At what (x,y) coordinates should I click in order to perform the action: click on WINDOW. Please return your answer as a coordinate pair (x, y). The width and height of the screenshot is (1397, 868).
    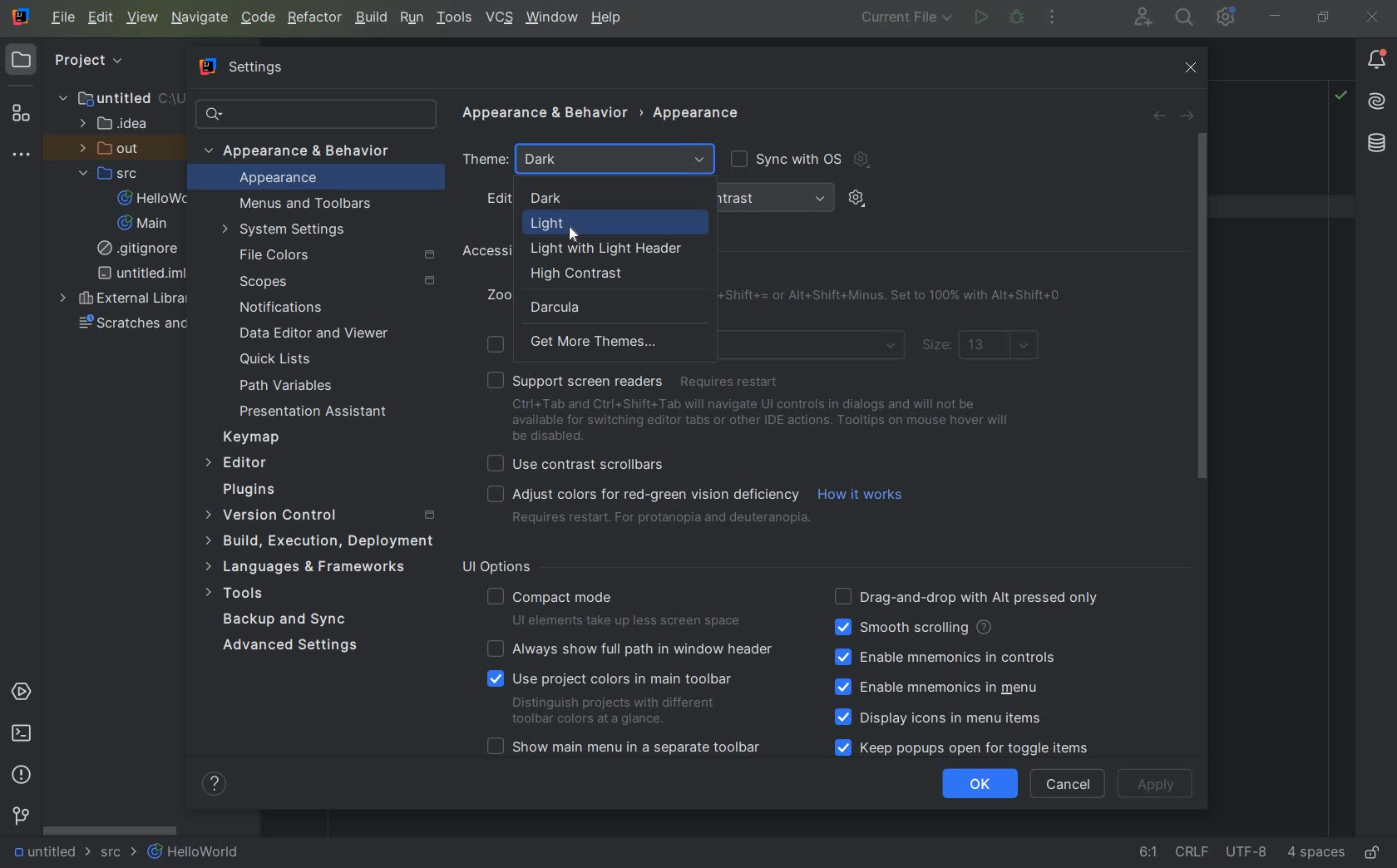
    Looking at the image, I should click on (550, 19).